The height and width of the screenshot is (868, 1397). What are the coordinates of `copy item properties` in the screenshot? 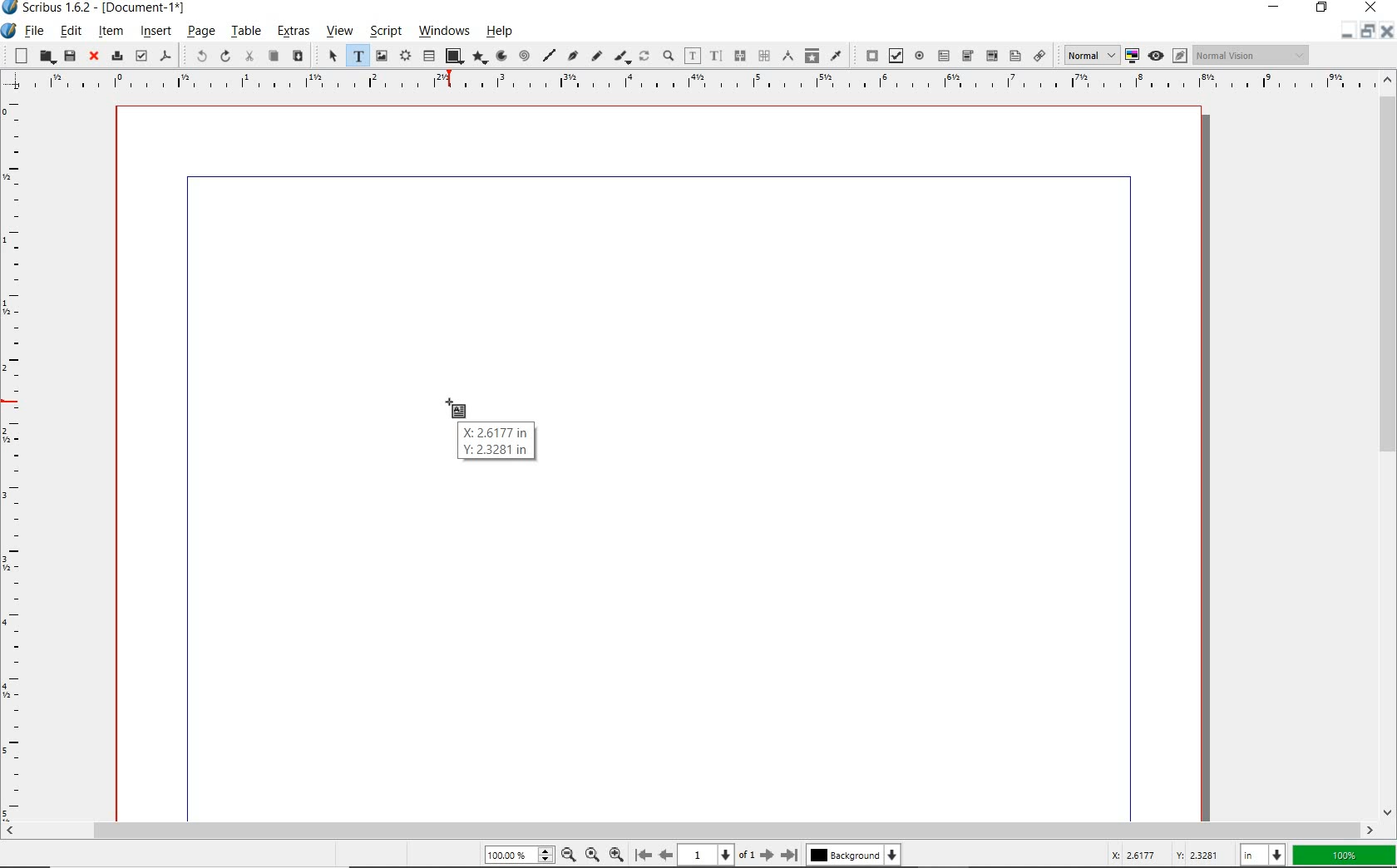 It's located at (811, 55).